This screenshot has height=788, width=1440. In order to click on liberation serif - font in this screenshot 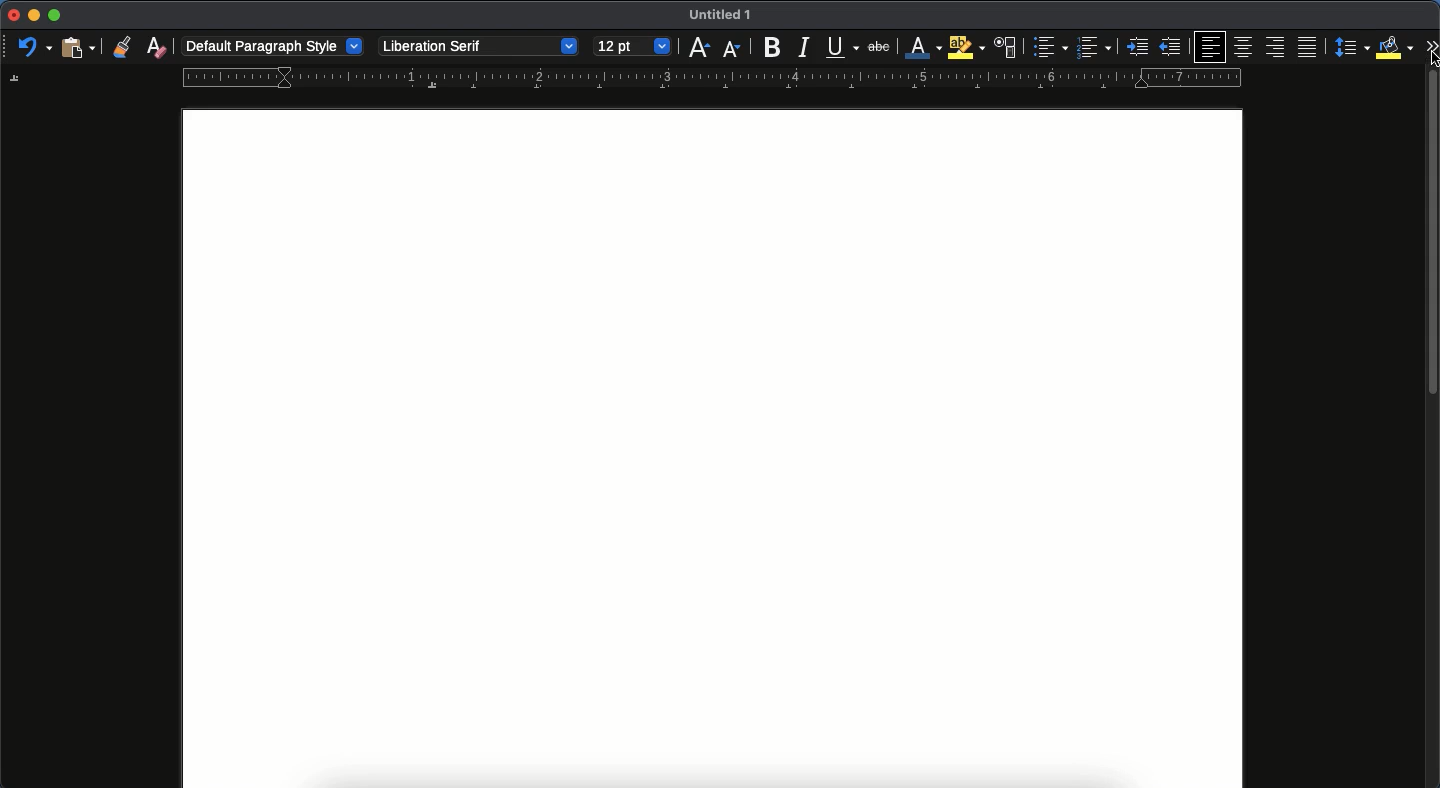, I will do `click(477, 44)`.